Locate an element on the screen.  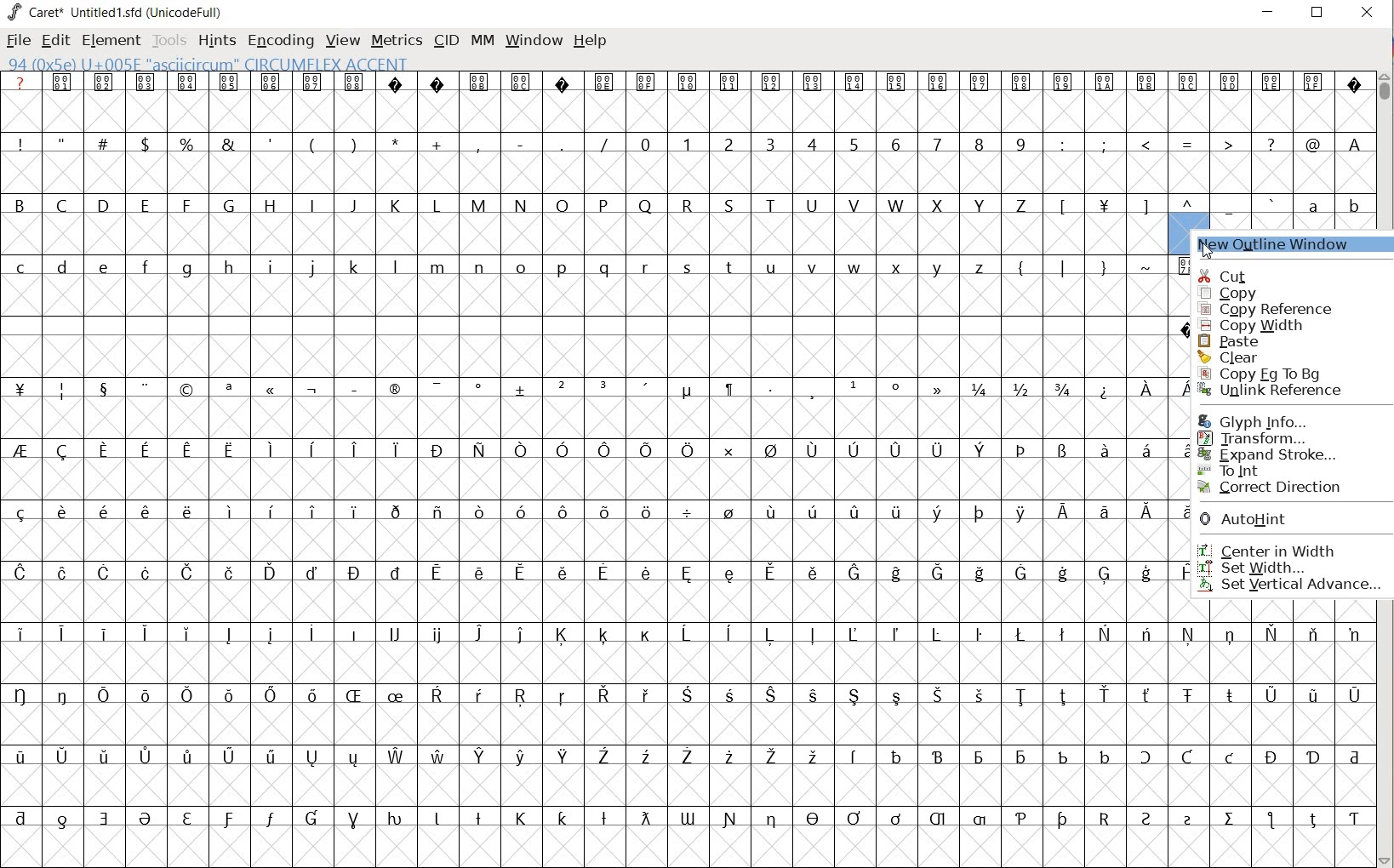
copy Fg to Bg is located at coordinates (1272, 374).